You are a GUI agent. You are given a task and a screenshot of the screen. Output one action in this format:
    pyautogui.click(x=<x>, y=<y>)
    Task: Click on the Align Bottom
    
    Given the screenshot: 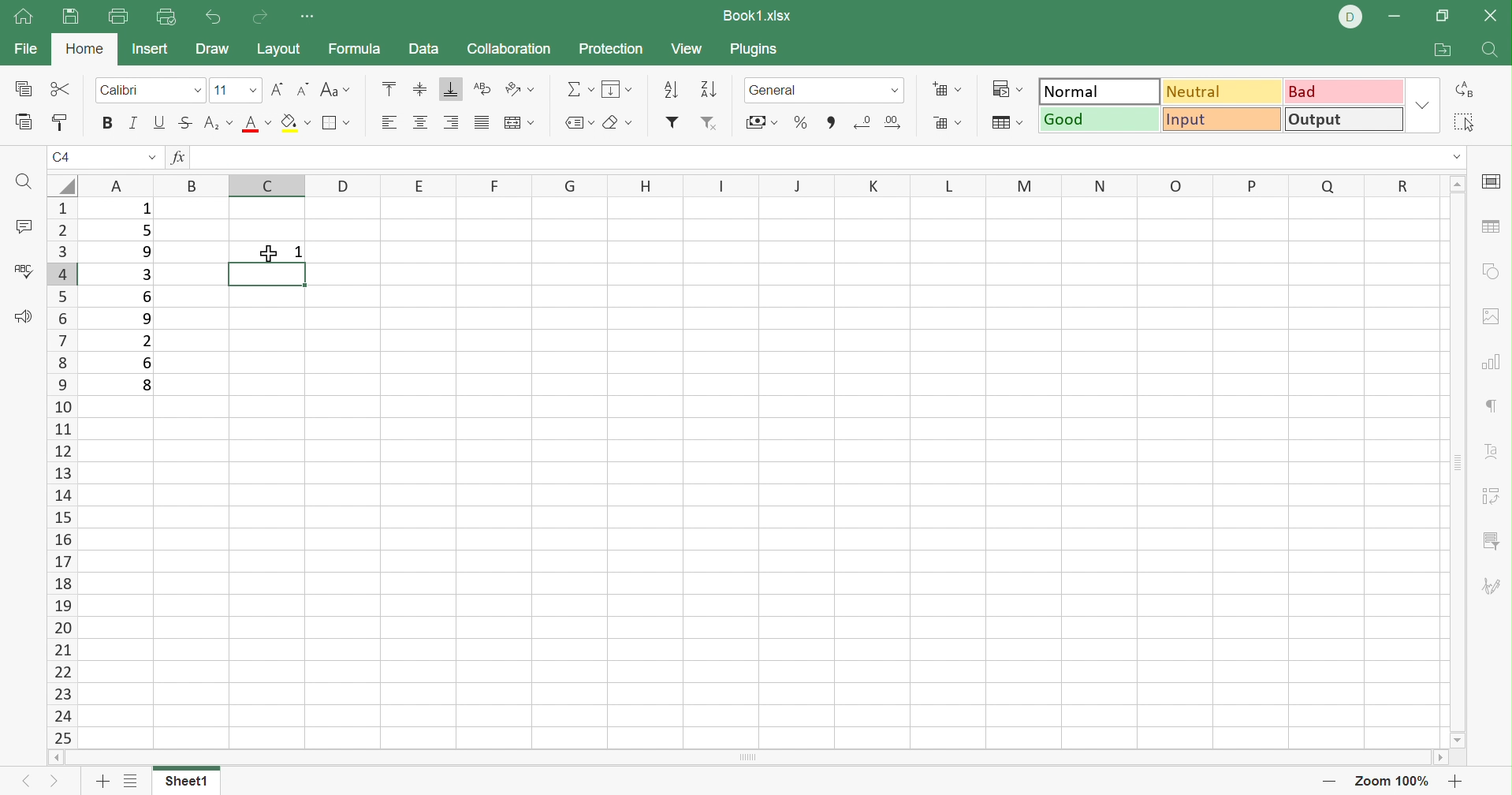 What is the action you would take?
    pyautogui.click(x=450, y=89)
    